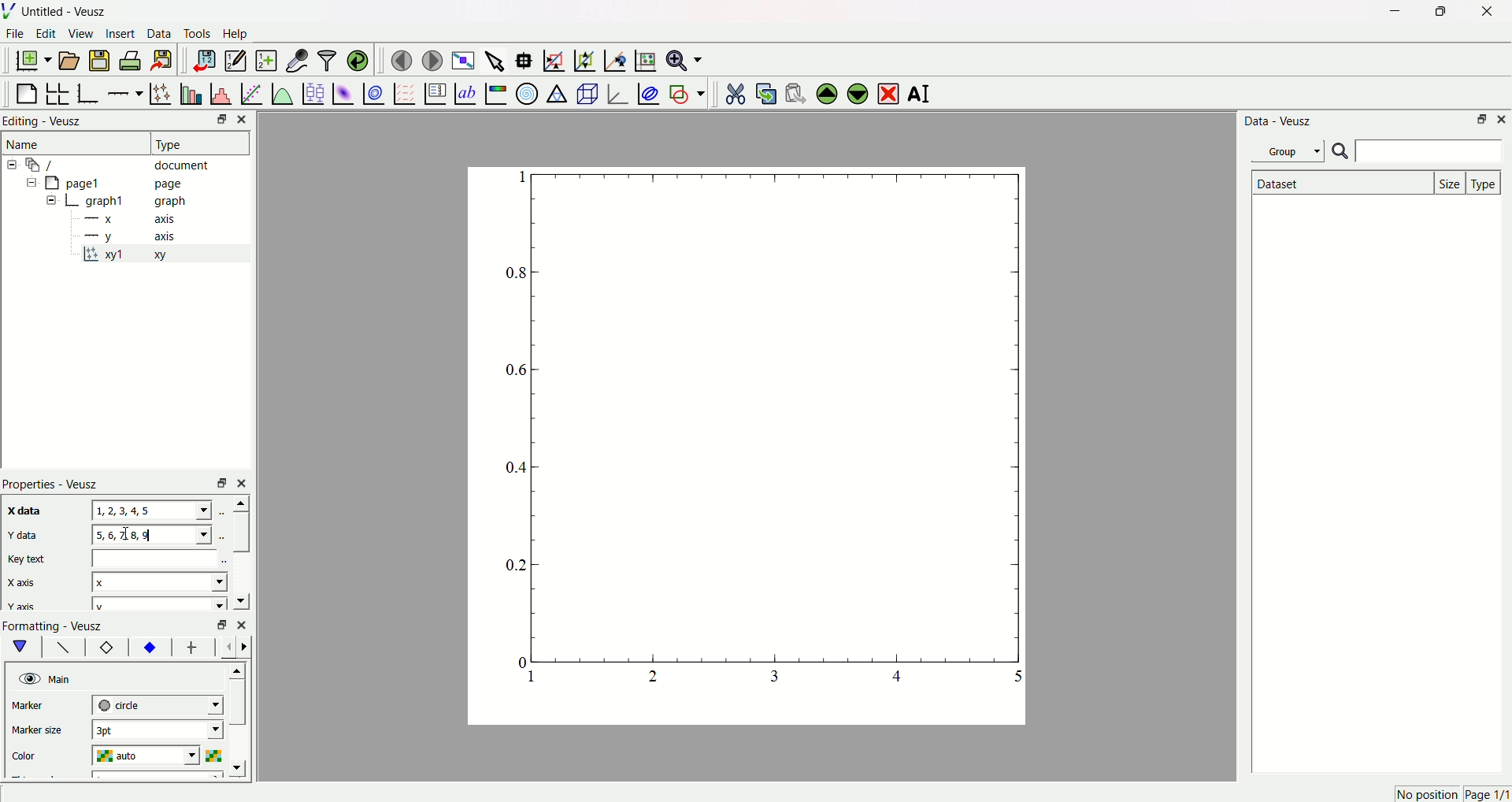  What do you see at coordinates (46, 122) in the screenshot?
I see `Editing - Veusz` at bounding box center [46, 122].